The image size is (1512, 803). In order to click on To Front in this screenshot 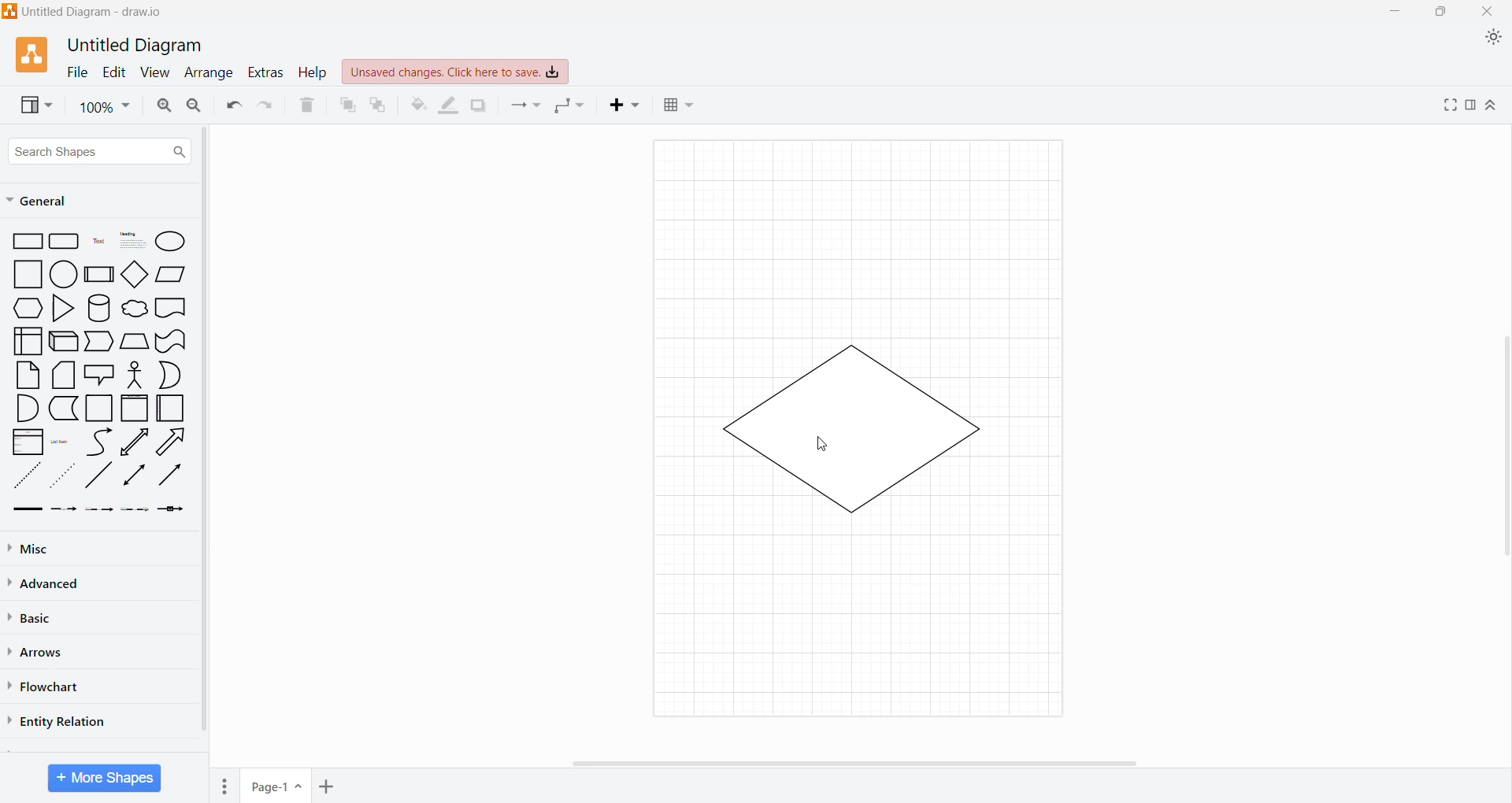, I will do `click(346, 105)`.